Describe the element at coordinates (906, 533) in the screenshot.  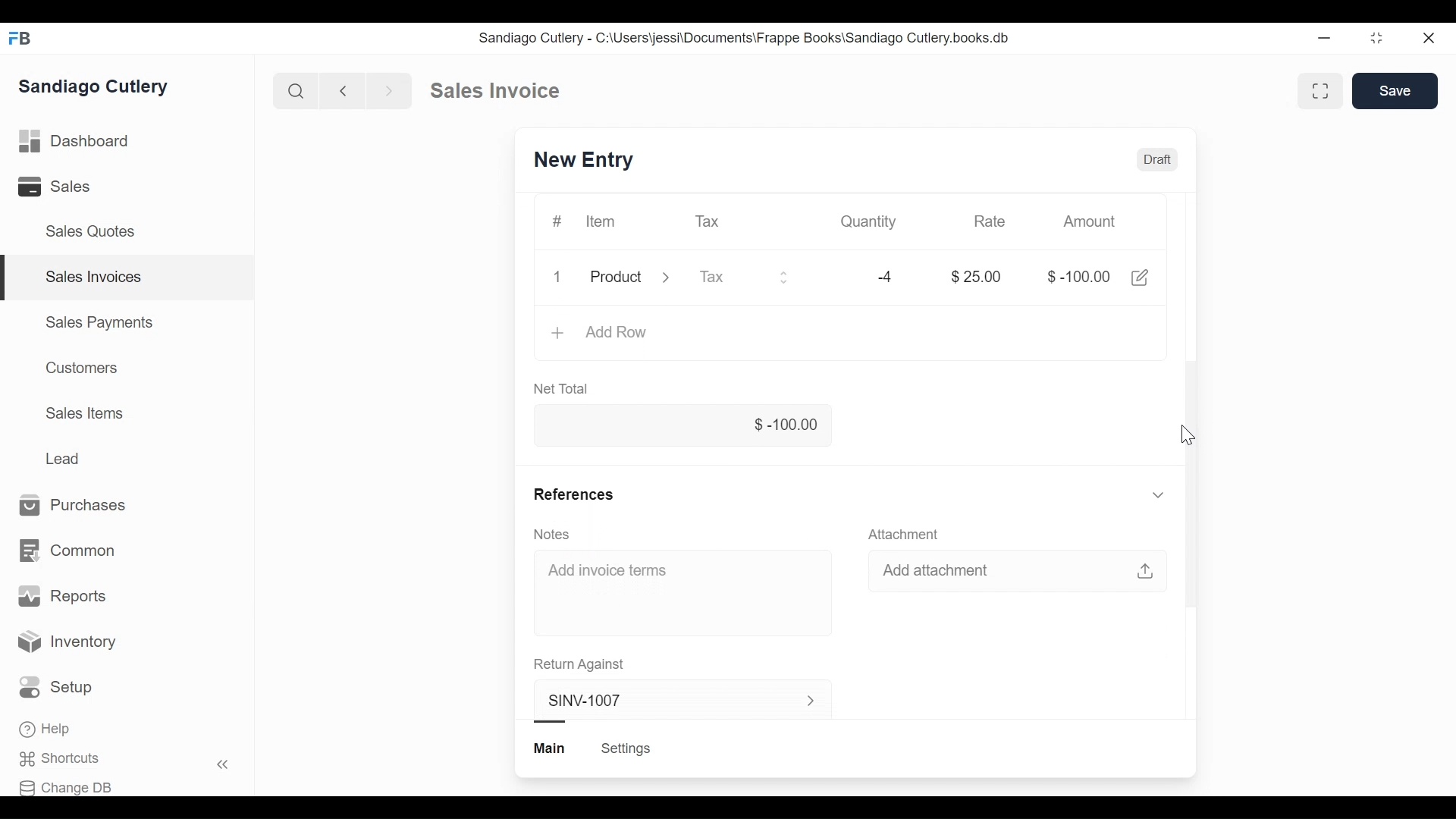
I see `Attachment` at that location.